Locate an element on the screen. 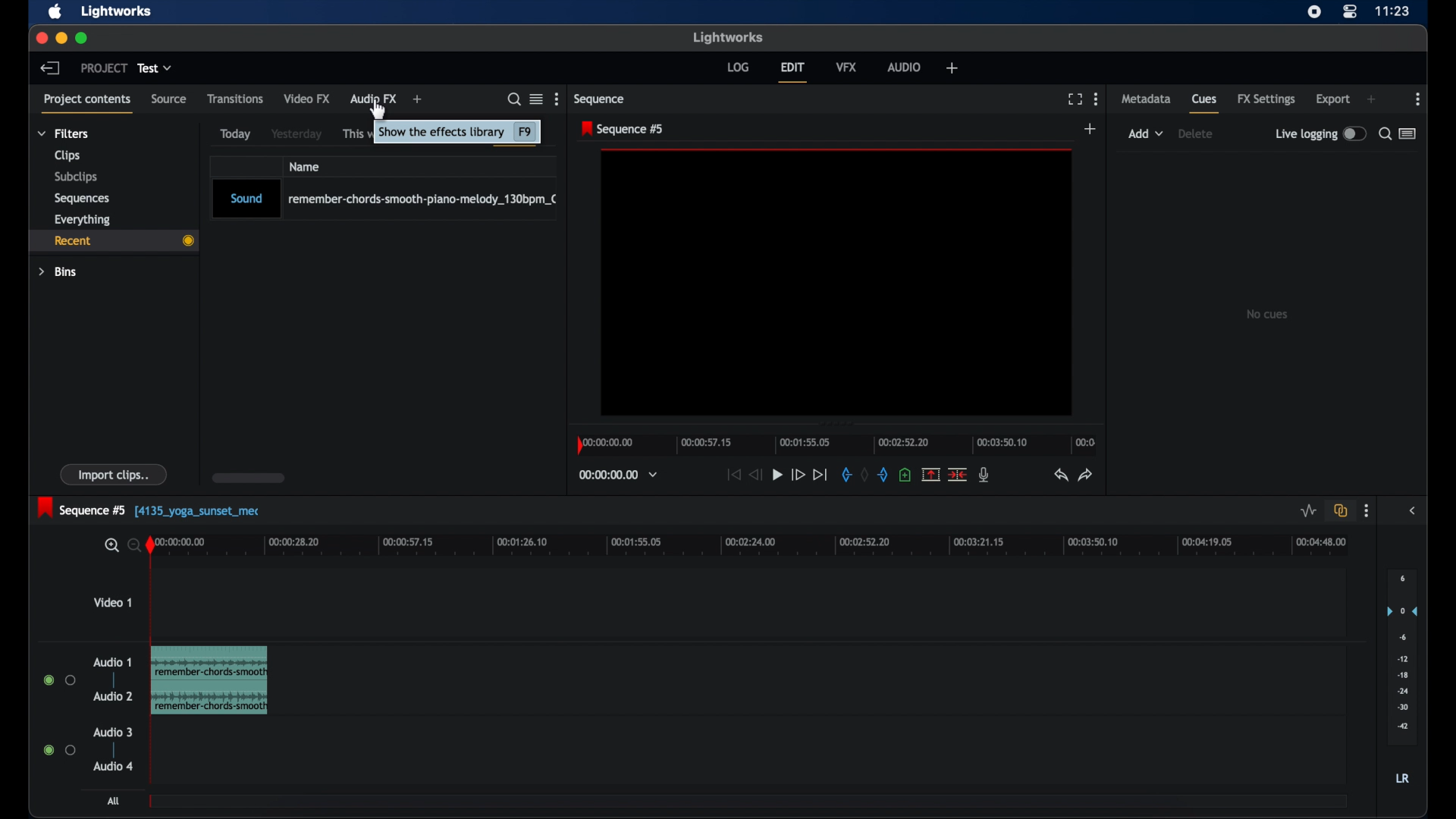 The height and width of the screenshot is (819, 1456). tooltip is located at coordinates (459, 135).